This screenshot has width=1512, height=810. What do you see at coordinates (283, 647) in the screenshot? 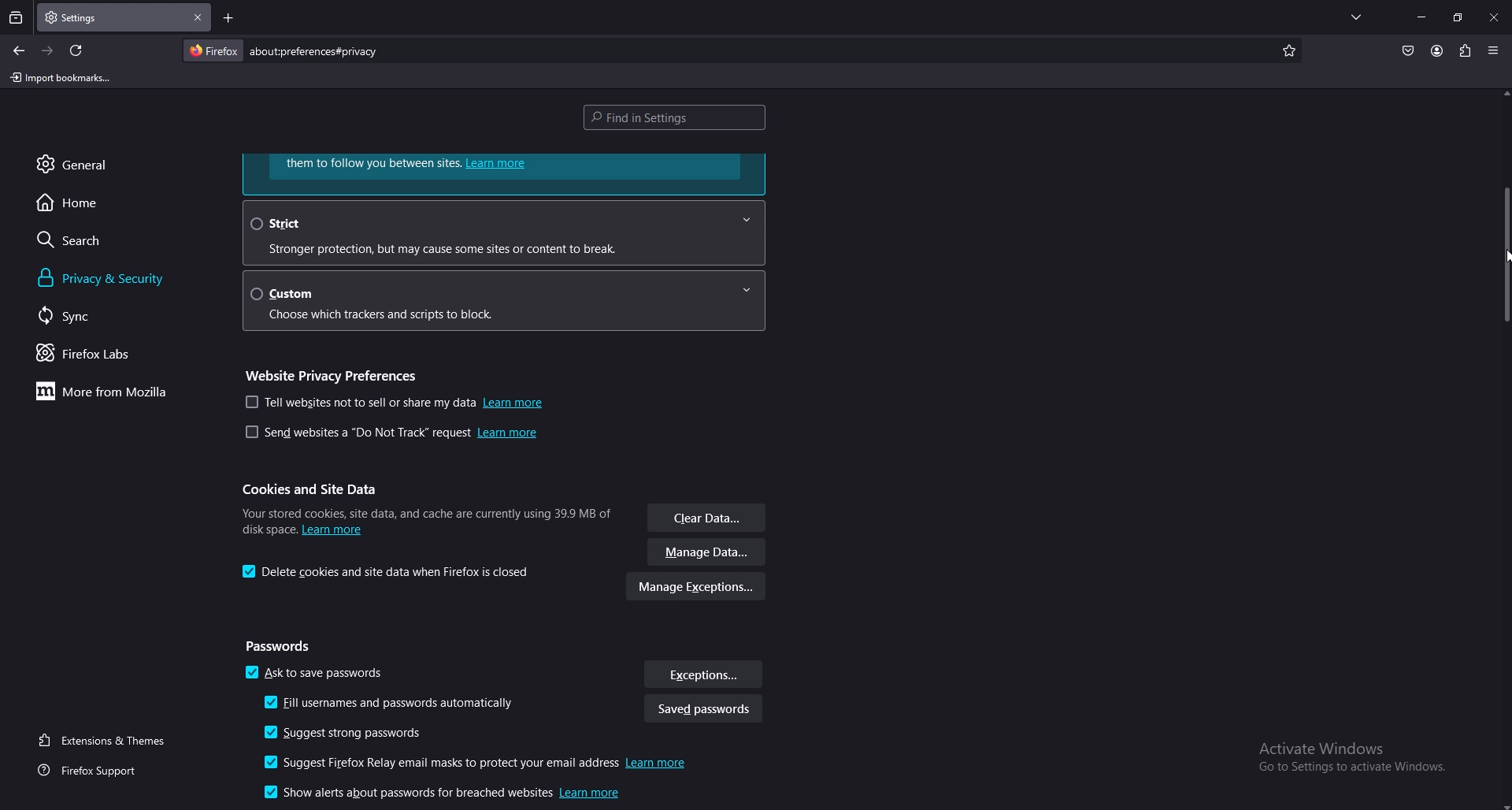
I see `passwords` at bounding box center [283, 647].